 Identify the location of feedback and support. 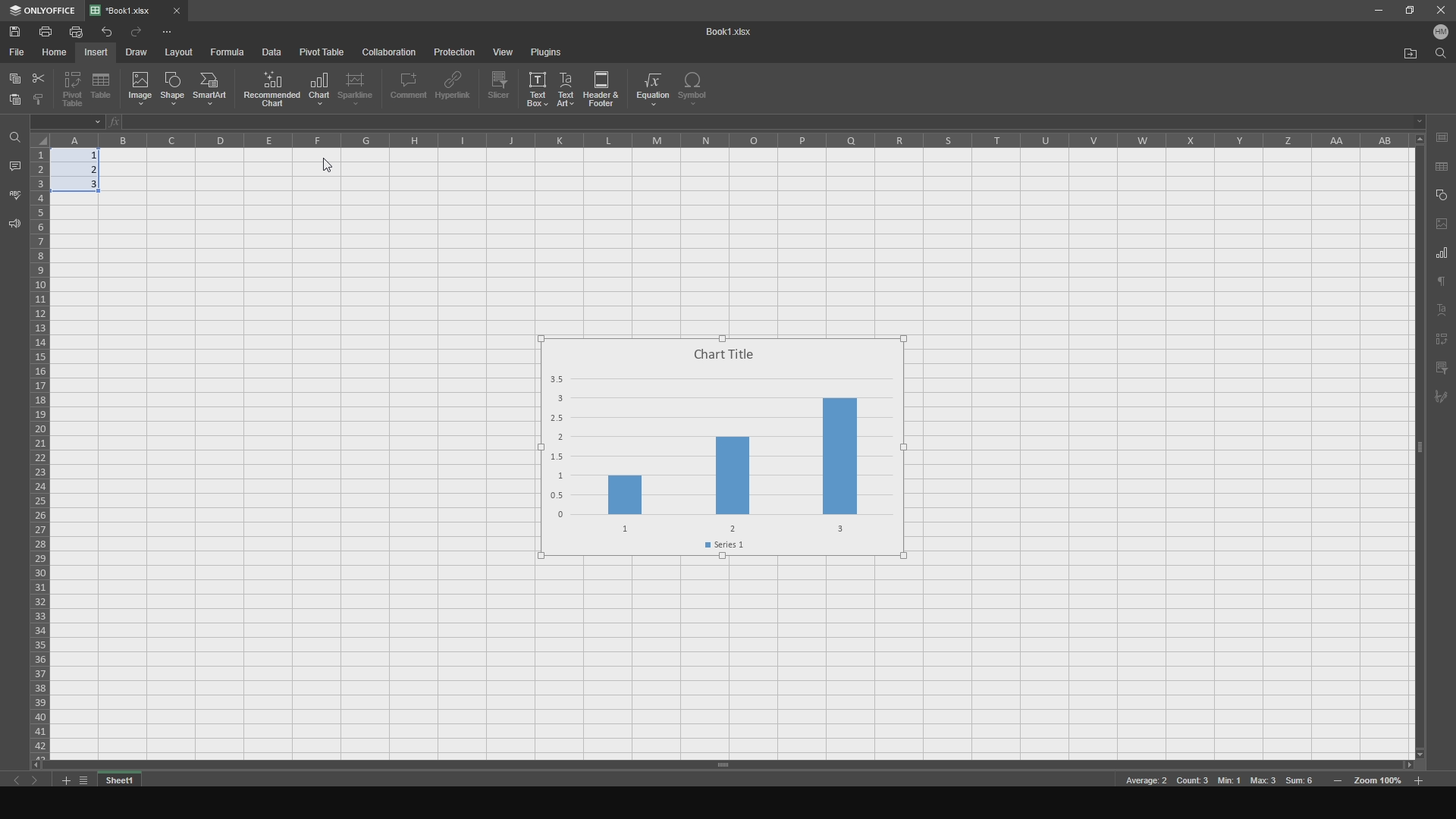
(13, 226).